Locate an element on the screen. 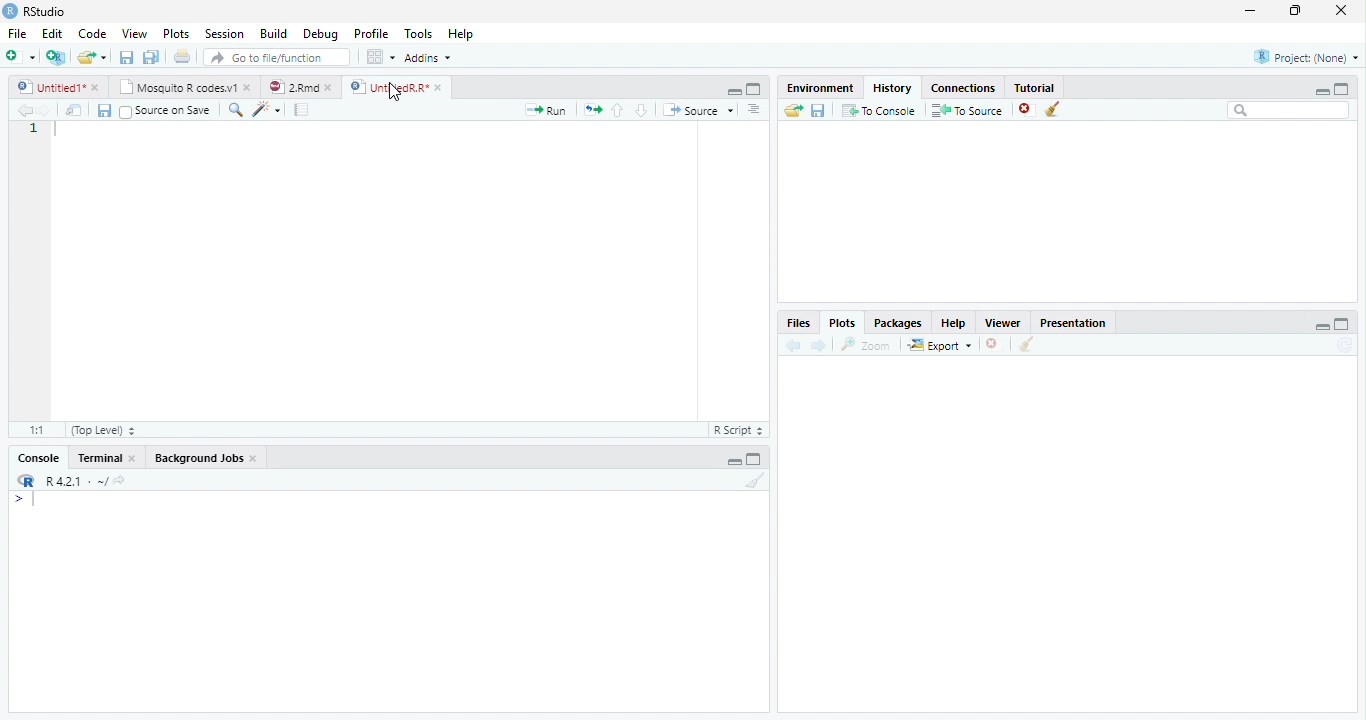  Save current document is located at coordinates (103, 110).